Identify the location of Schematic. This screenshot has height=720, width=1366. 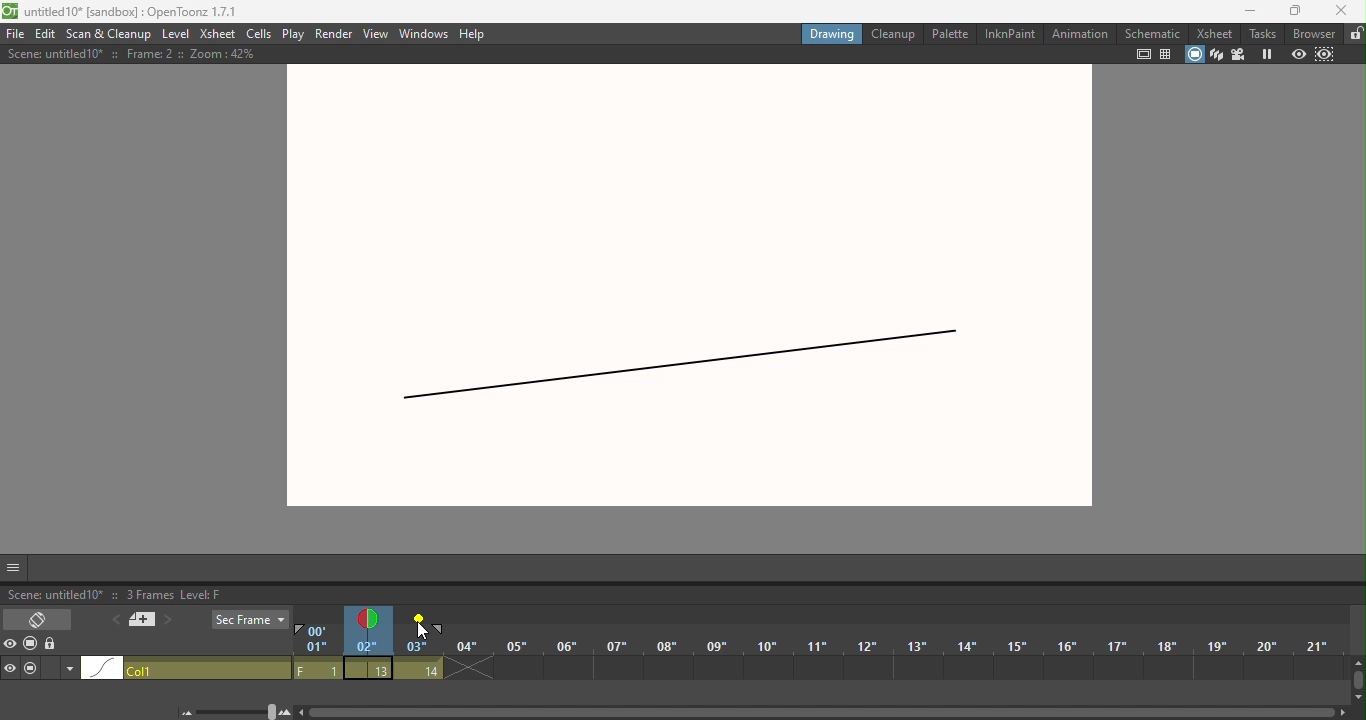
(1150, 32).